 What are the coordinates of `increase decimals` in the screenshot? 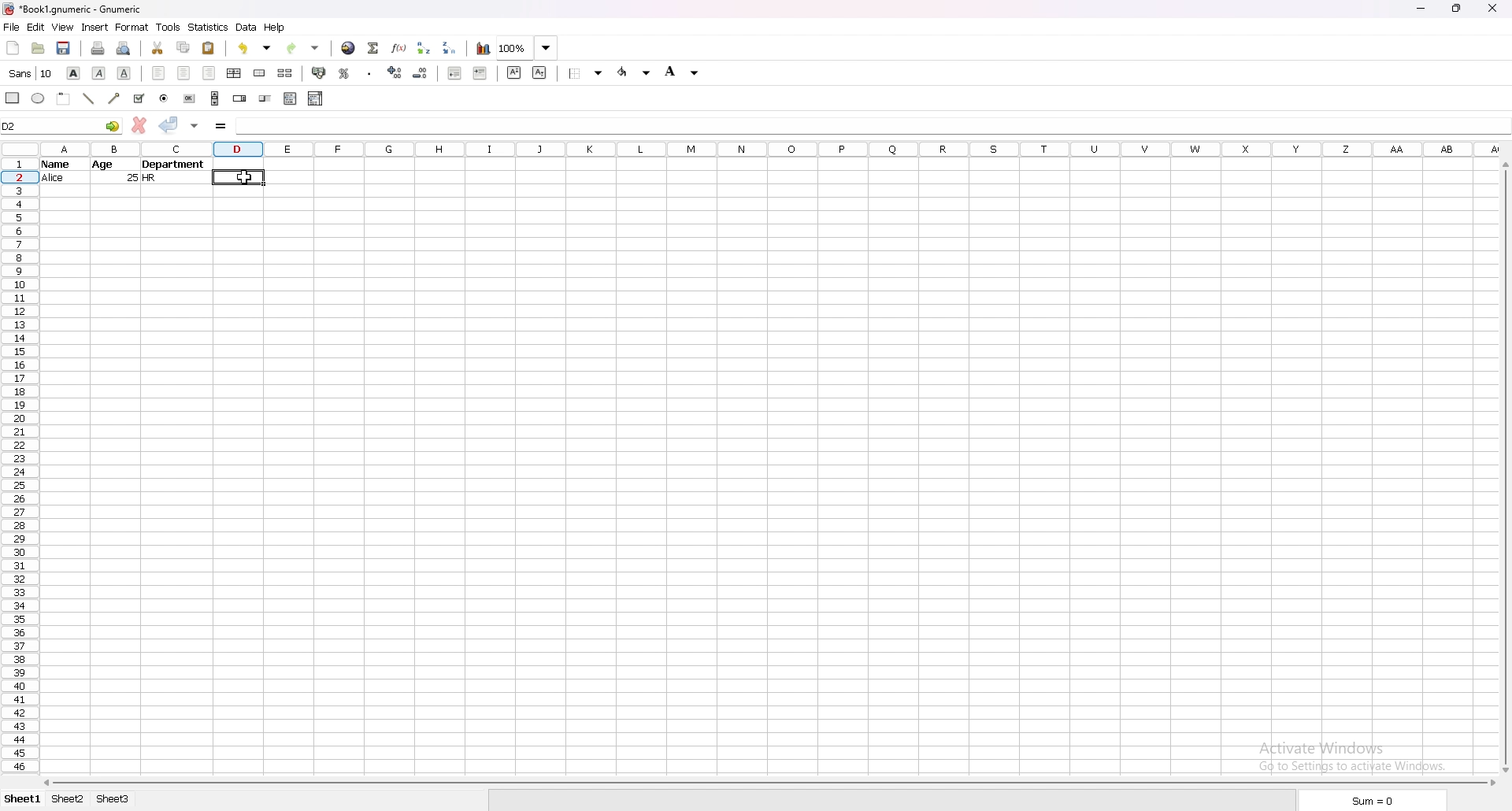 It's located at (396, 72).